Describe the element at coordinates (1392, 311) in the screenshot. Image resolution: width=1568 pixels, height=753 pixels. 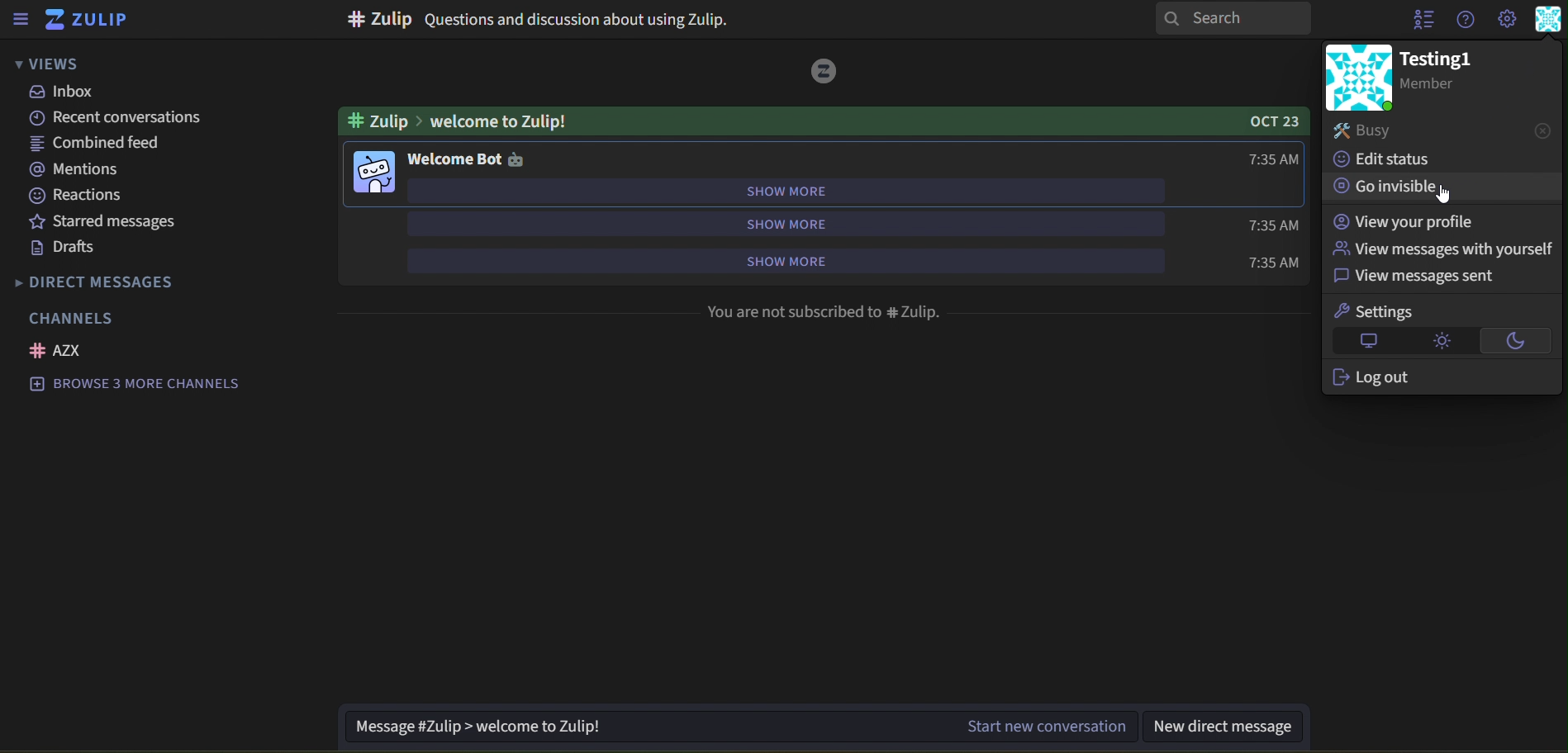
I see `settings` at that location.